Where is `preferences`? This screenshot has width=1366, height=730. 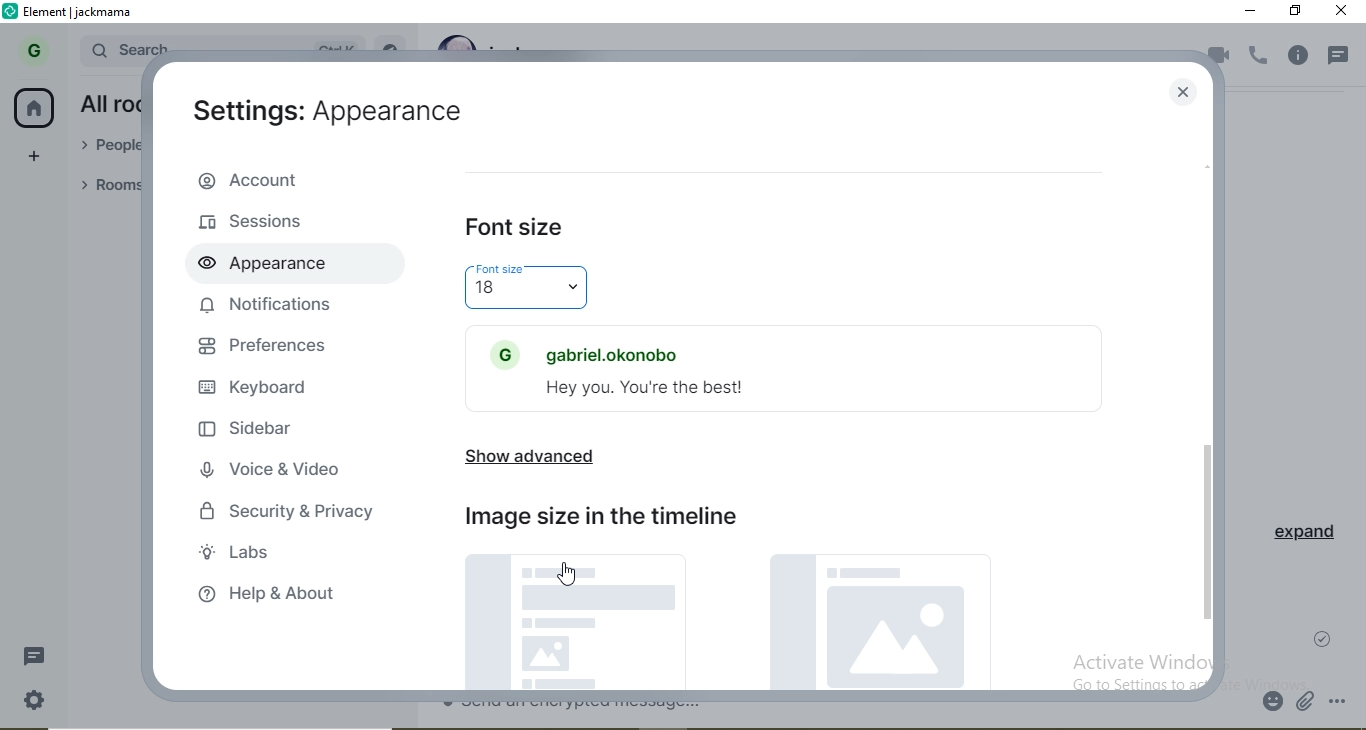
preferences is located at coordinates (273, 340).